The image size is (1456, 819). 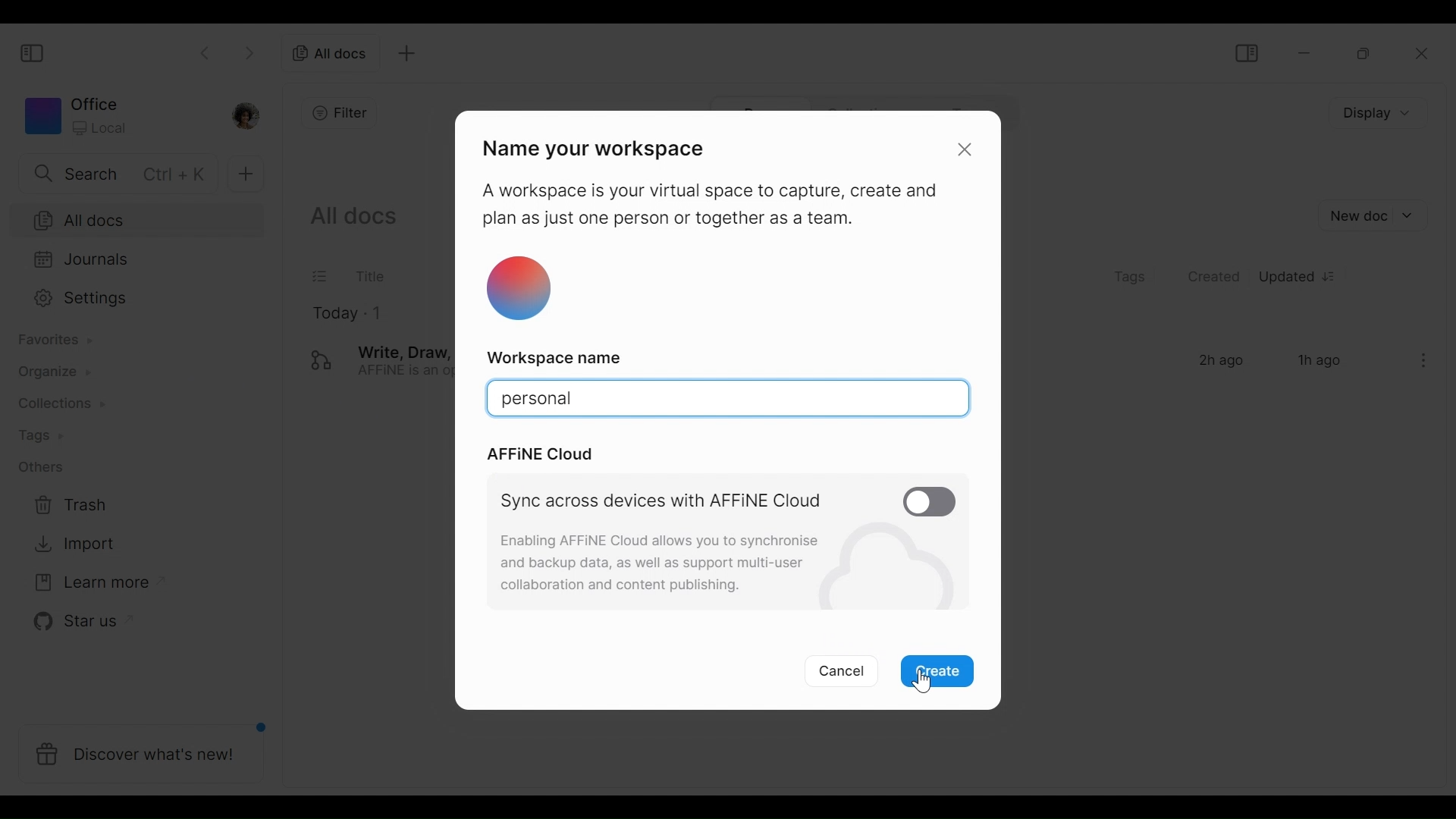 I want to click on ellipsis, so click(x=1419, y=359).